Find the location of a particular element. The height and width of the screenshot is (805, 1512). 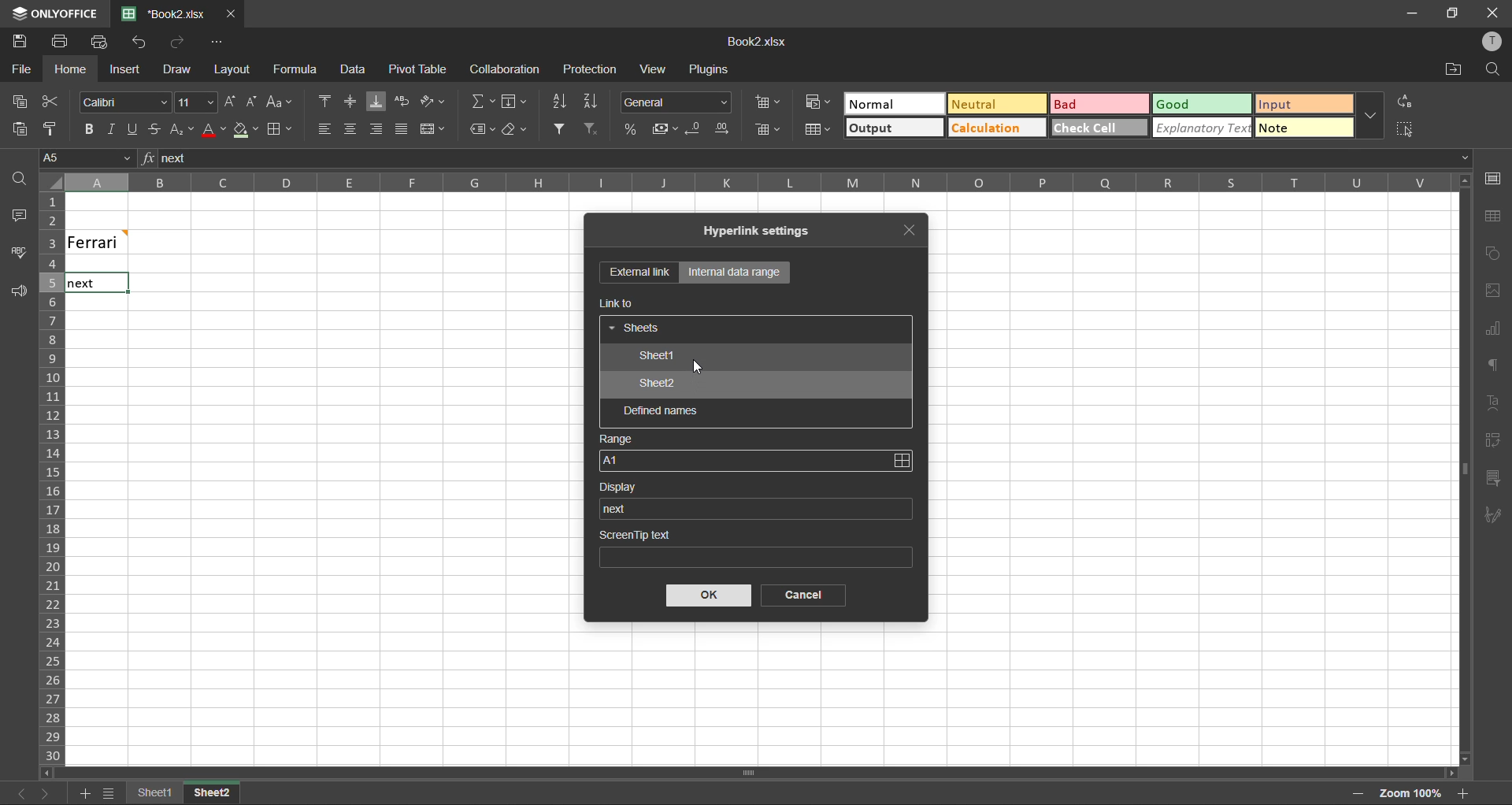

cancel is located at coordinates (798, 595).